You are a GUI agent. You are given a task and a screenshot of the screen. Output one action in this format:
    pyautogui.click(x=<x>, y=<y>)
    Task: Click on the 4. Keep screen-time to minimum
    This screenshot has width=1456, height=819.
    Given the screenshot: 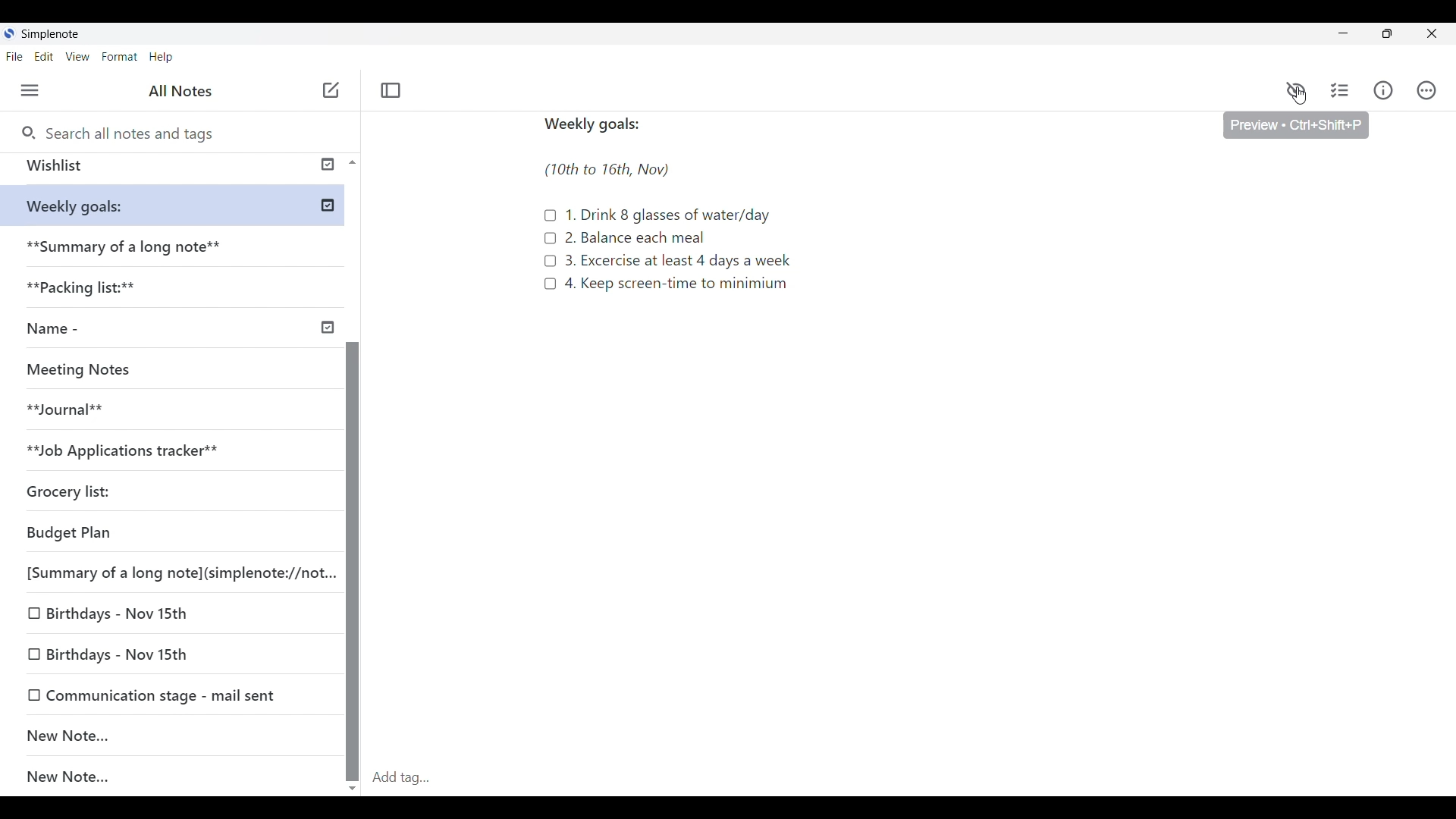 What is the action you would take?
    pyautogui.click(x=678, y=286)
    